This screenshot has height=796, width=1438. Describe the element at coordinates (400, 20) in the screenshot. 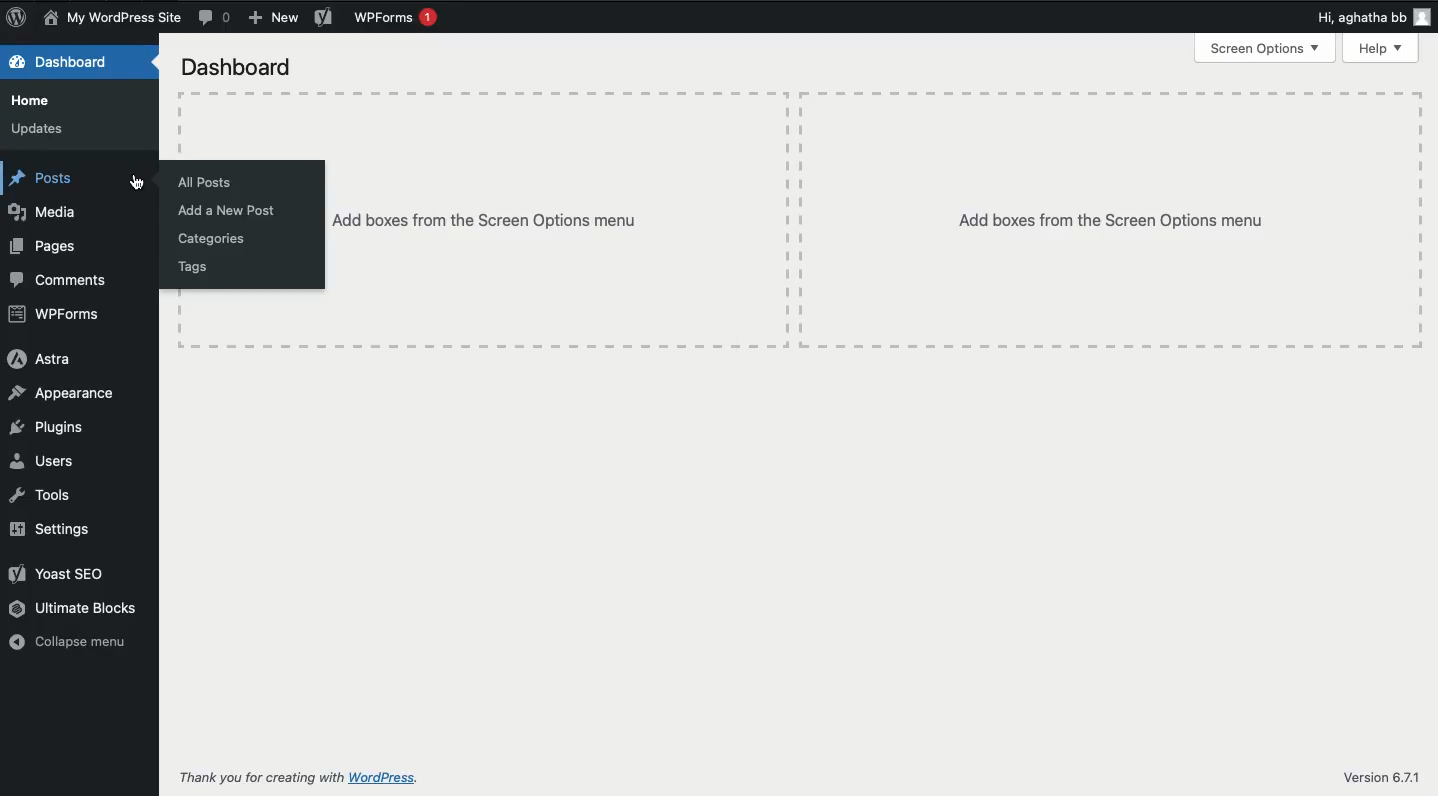

I see `WPForms` at that location.